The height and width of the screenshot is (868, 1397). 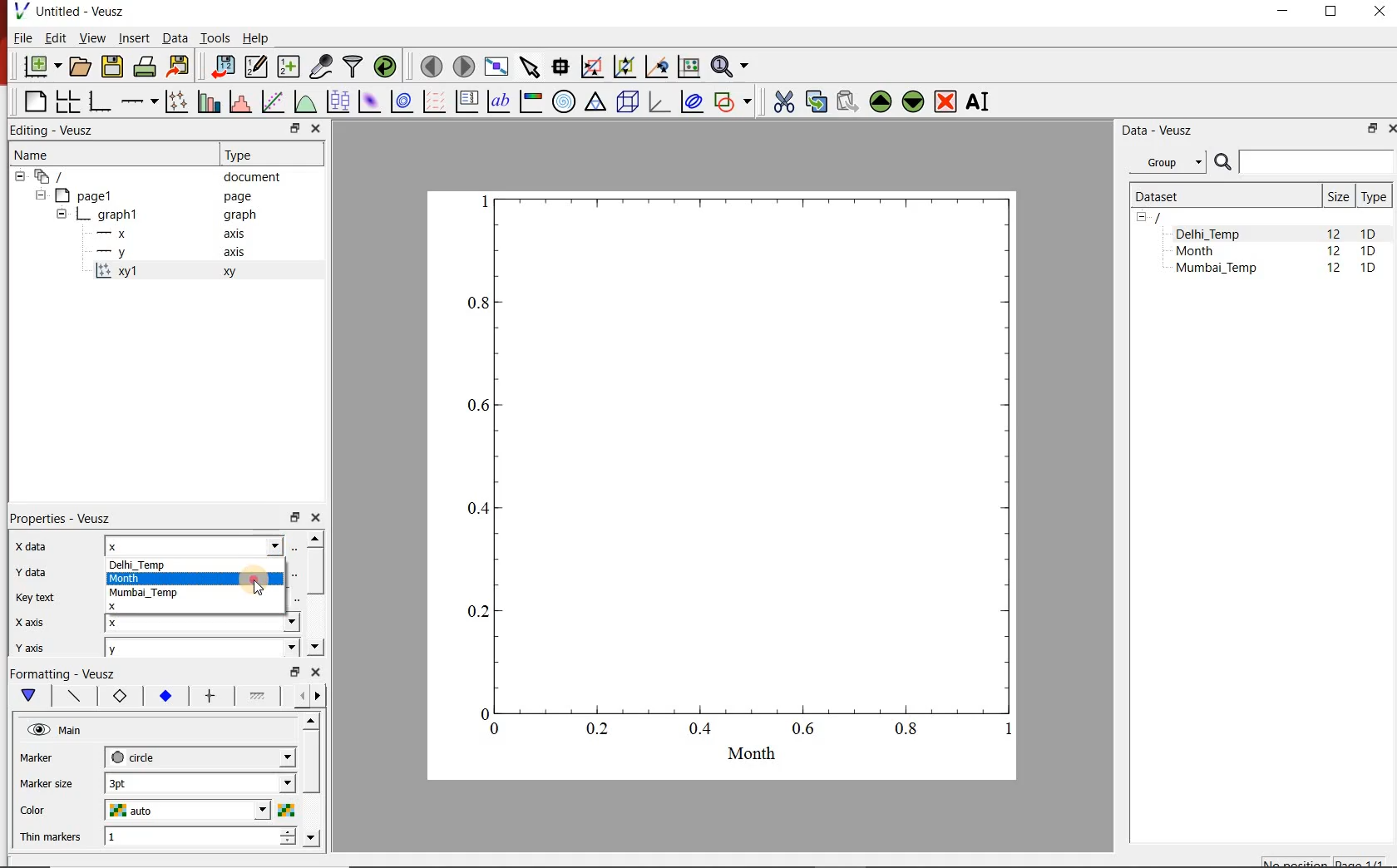 I want to click on Key text, so click(x=34, y=599).